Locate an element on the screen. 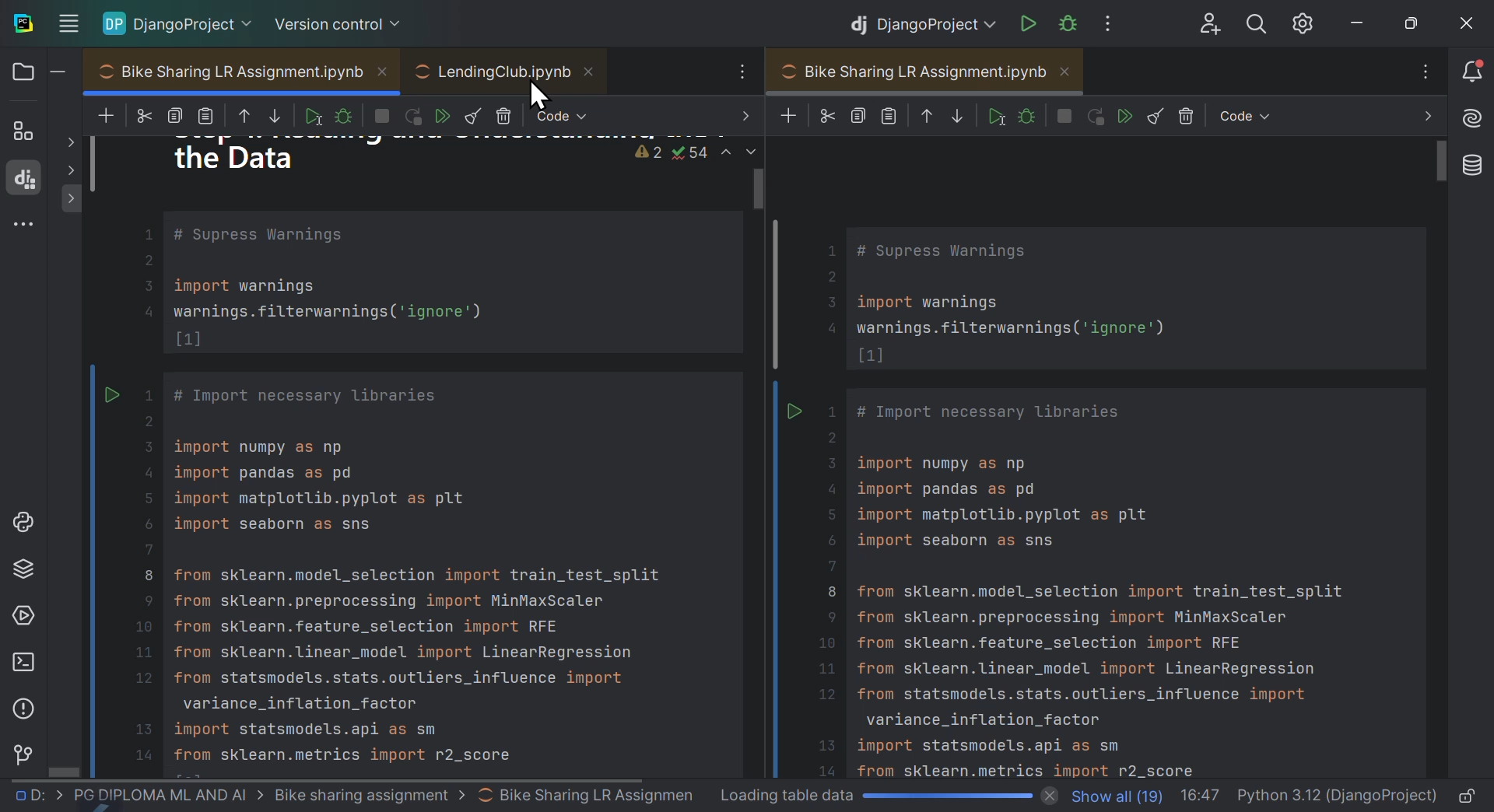 The height and width of the screenshot is (812, 1494). next is located at coordinates (1420, 117).